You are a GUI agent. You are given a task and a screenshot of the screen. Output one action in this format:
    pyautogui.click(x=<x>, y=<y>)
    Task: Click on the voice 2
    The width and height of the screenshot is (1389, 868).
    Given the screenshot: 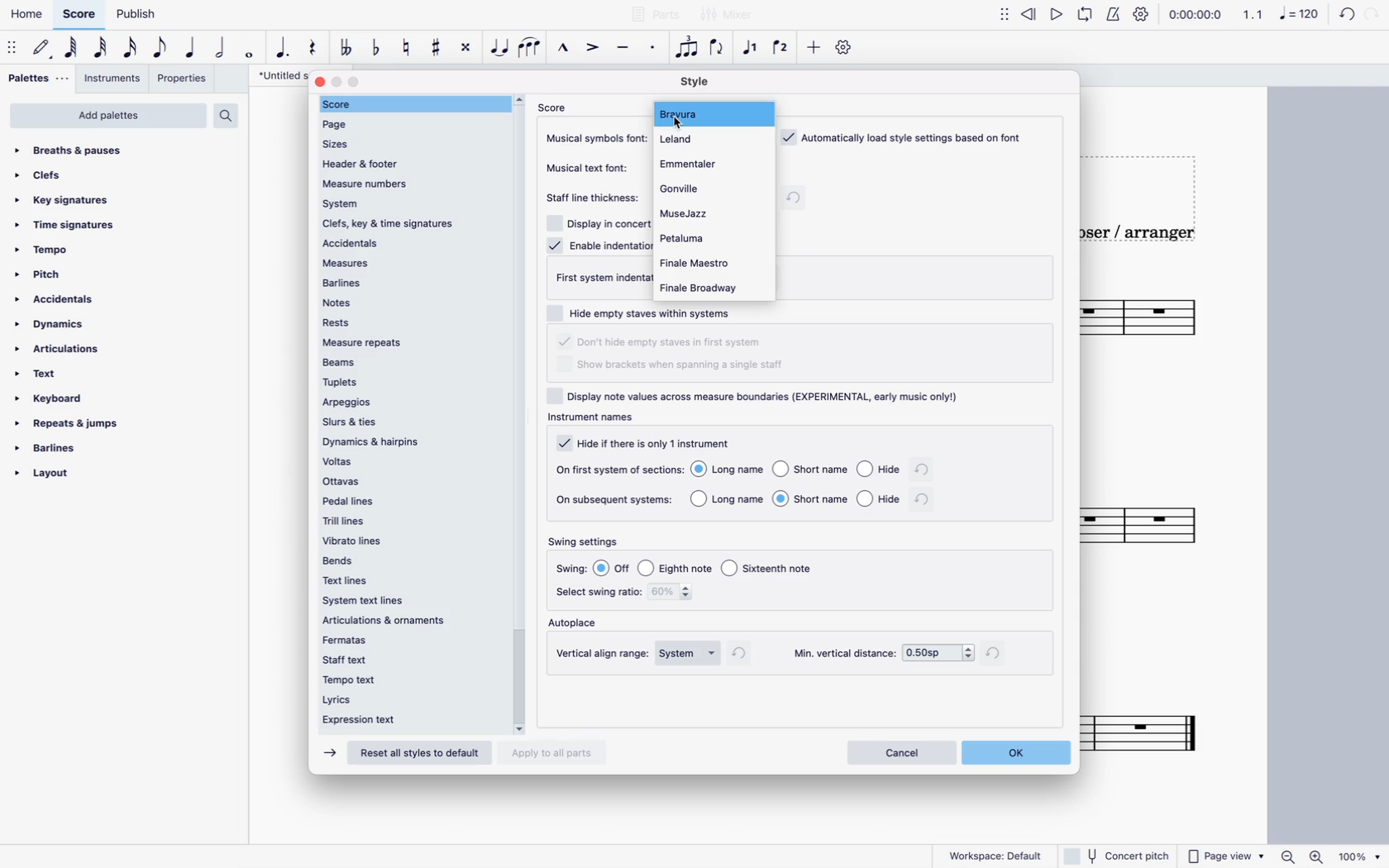 What is the action you would take?
    pyautogui.click(x=782, y=48)
    